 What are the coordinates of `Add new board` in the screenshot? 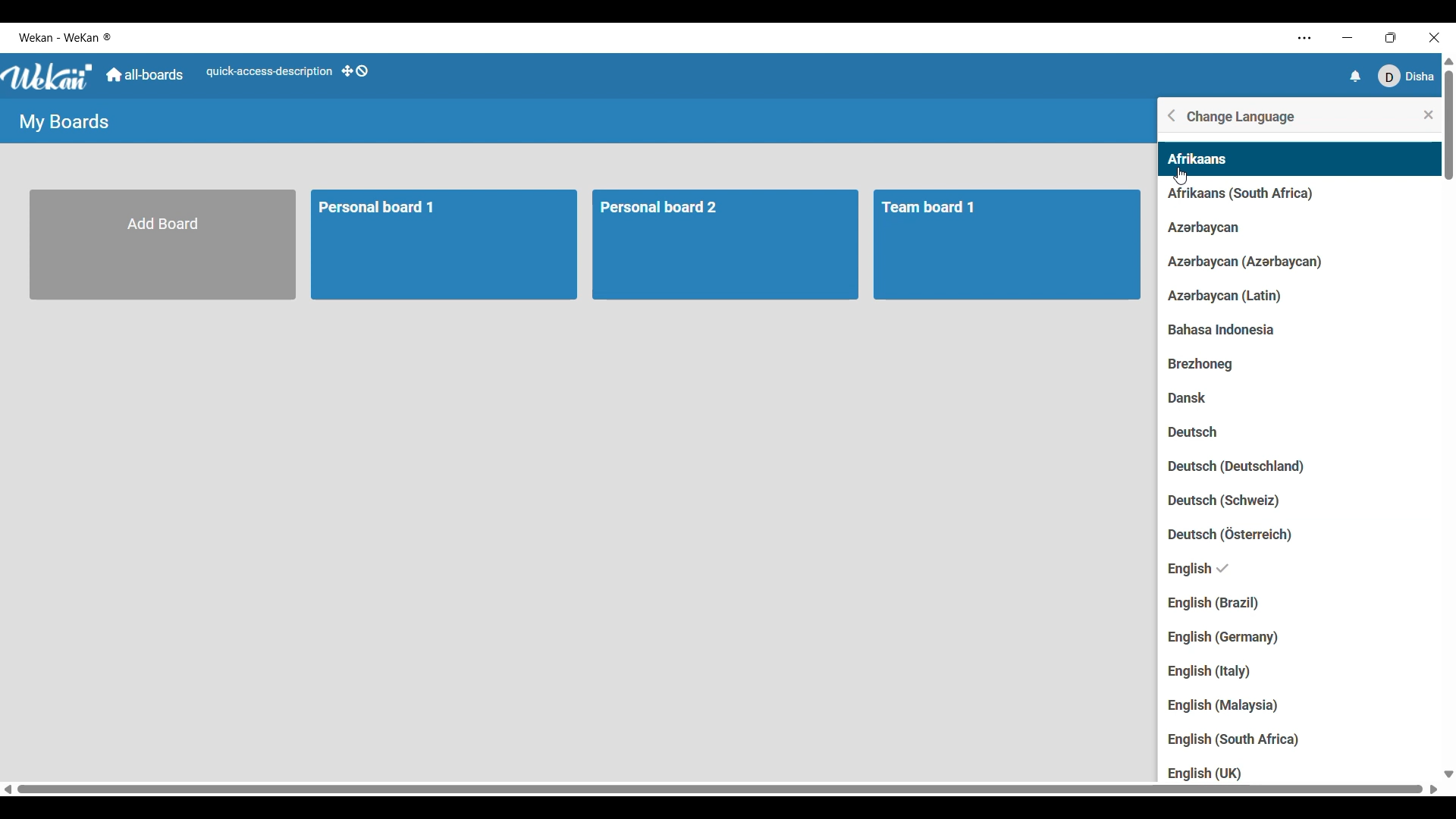 It's located at (164, 245).